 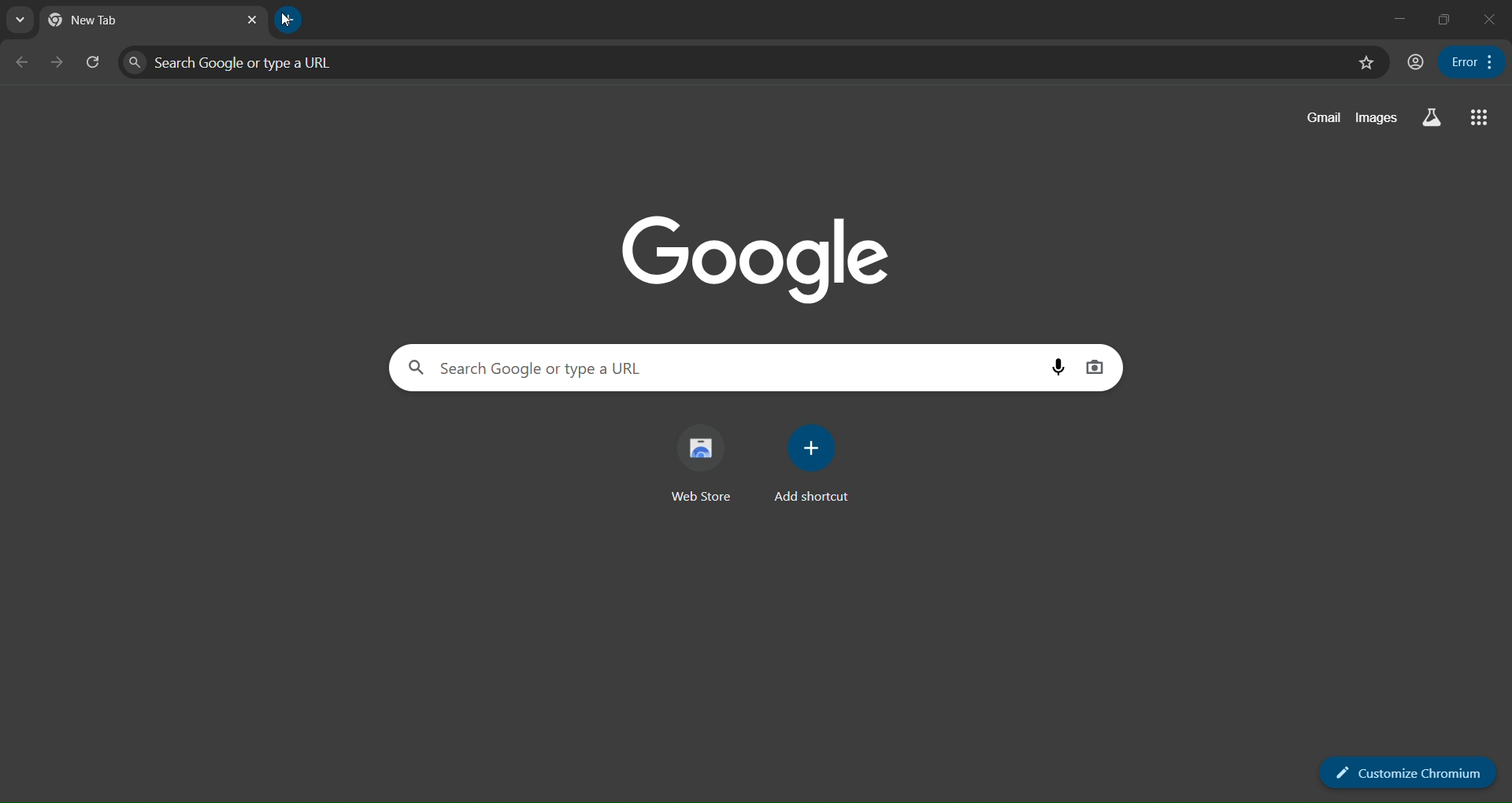 I want to click on tab list, so click(x=24, y=20).